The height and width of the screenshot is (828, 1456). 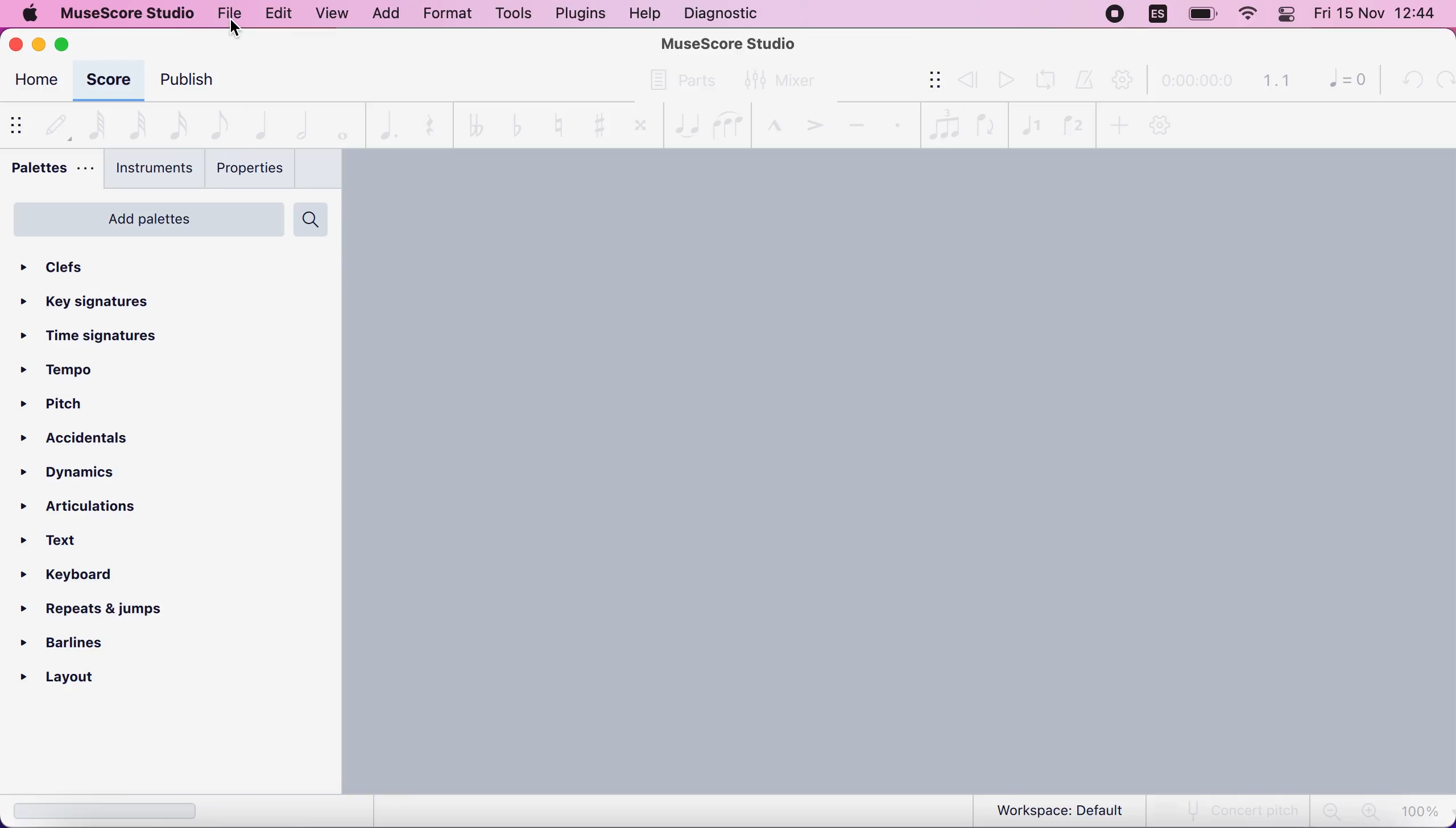 What do you see at coordinates (129, 13) in the screenshot?
I see `musescore studio` at bounding box center [129, 13].